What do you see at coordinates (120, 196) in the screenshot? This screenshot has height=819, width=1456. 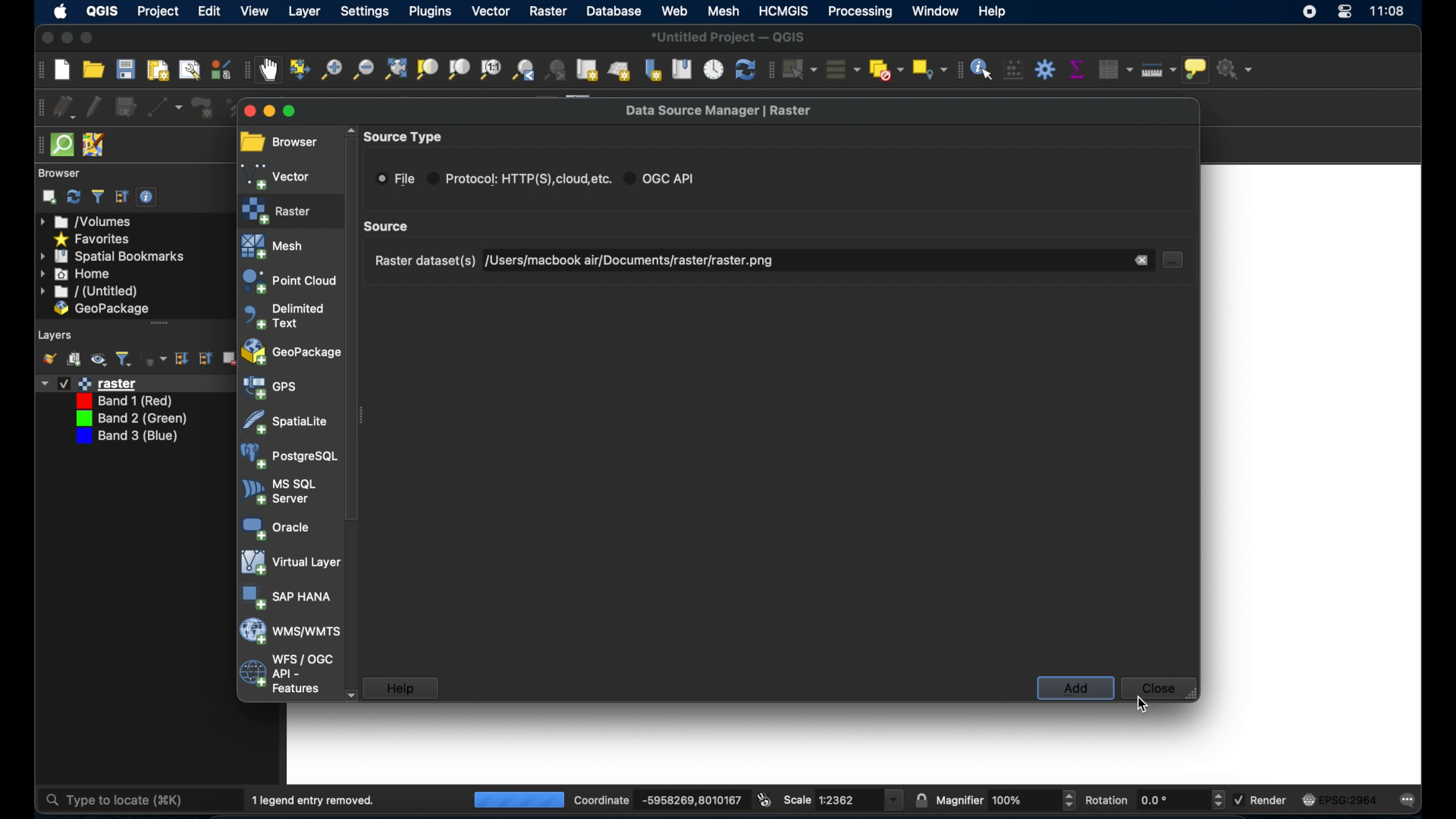 I see `collapse all` at bounding box center [120, 196].